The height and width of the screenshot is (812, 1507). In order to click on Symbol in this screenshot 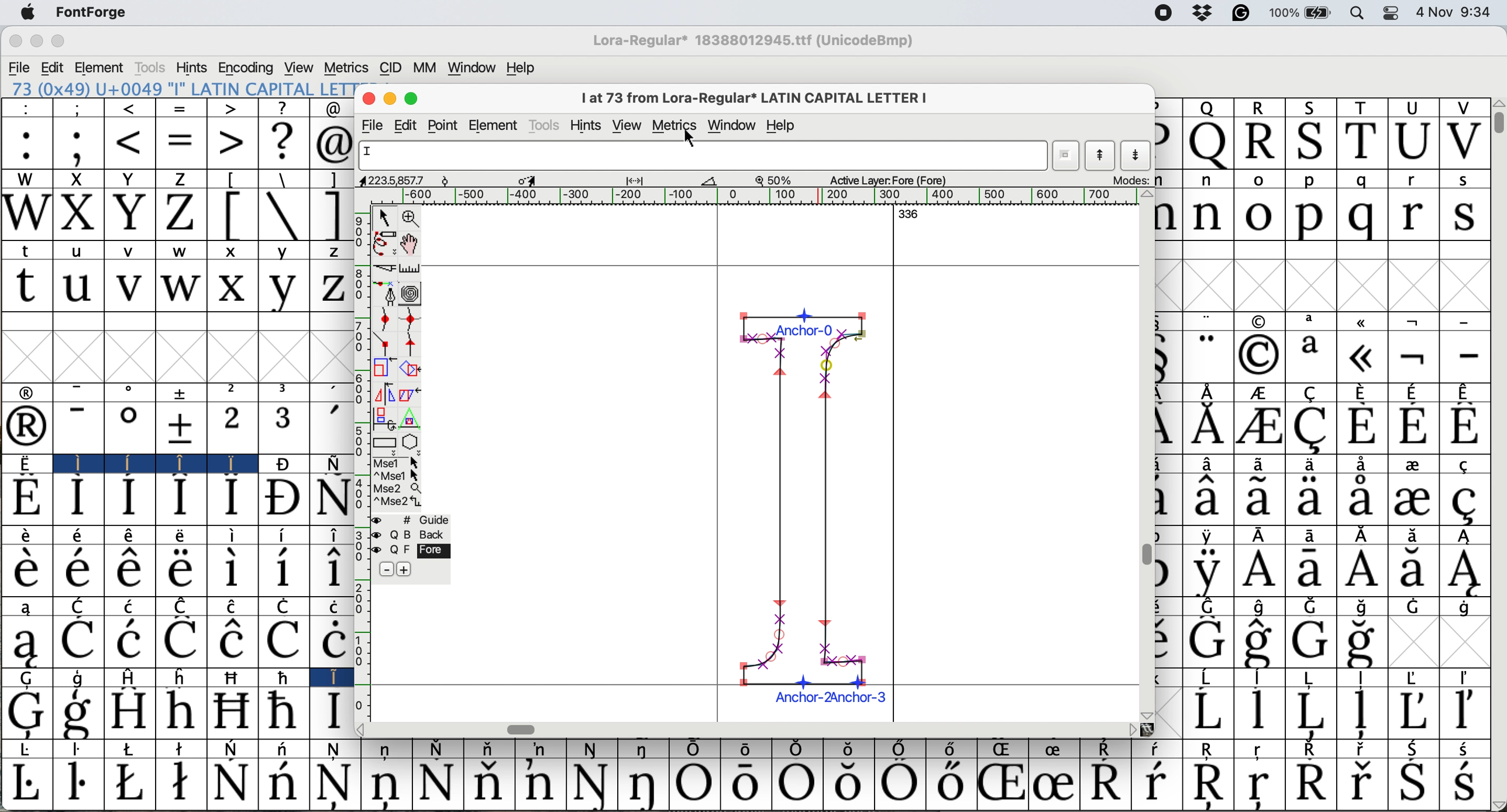, I will do `click(539, 783)`.